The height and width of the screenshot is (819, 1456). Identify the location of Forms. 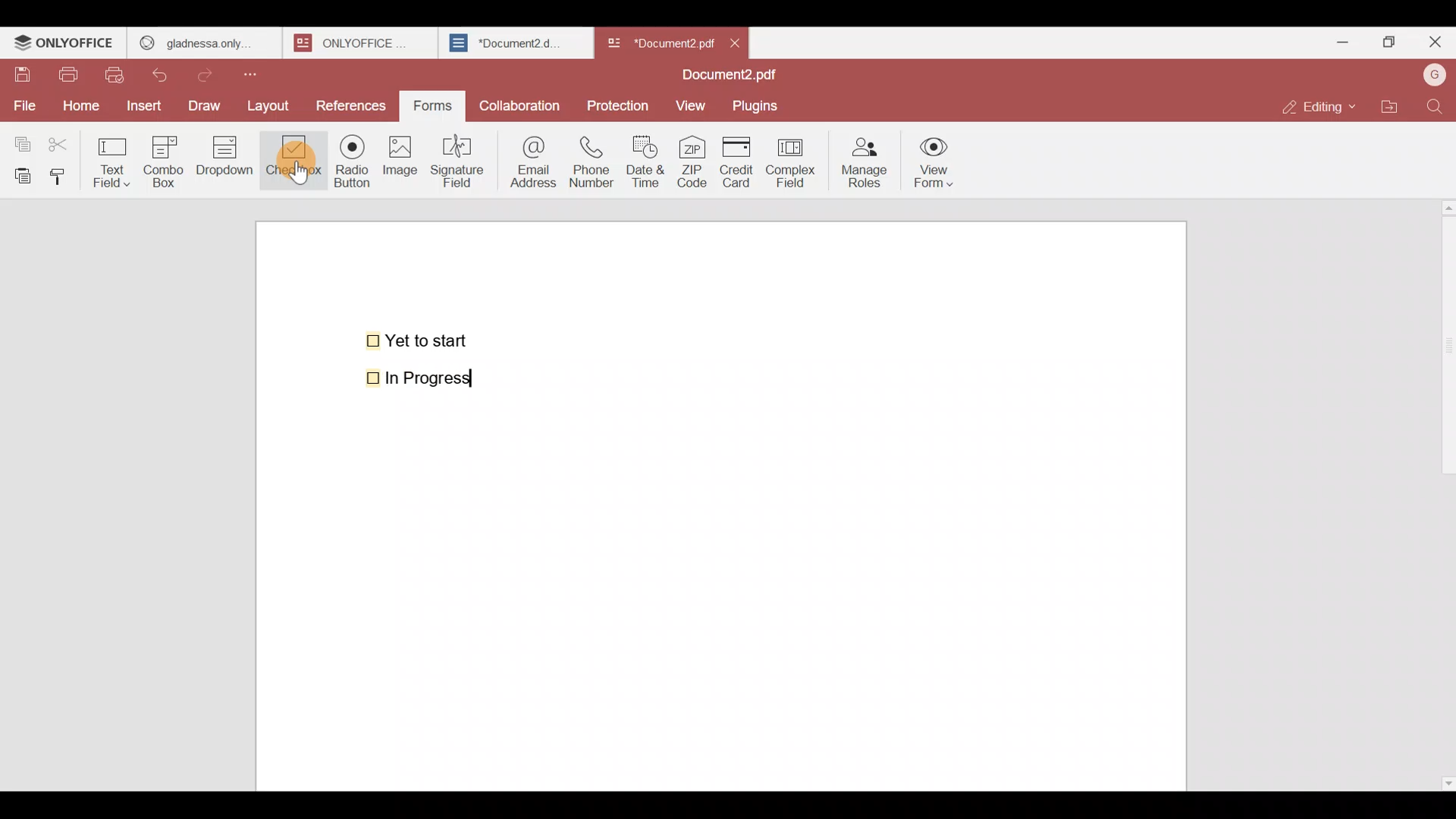
(434, 104).